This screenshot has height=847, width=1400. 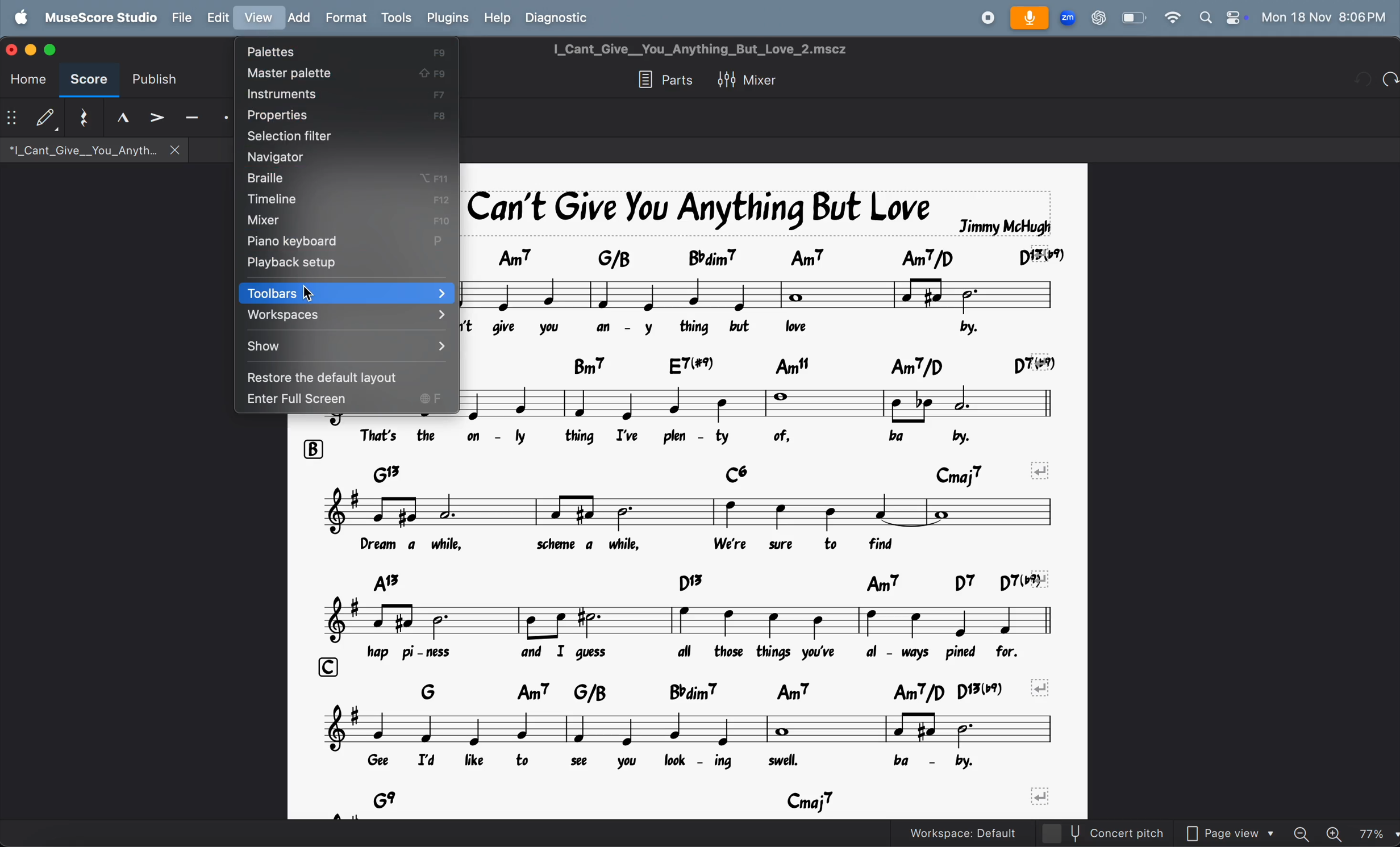 What do you see at coordinates (298, 17) in the screenshot?
I see `add` at bounding box center [298, 17].